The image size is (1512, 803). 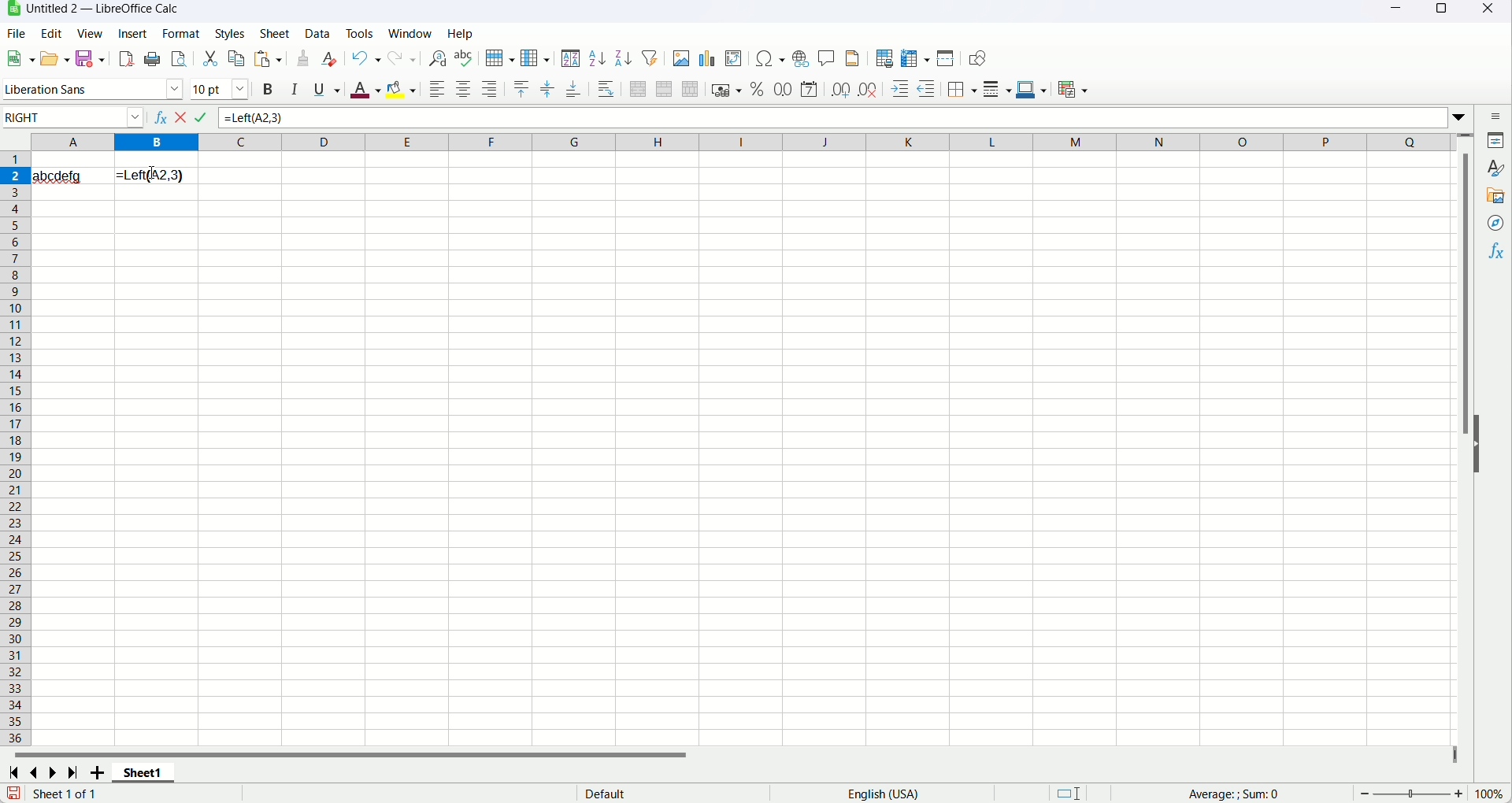 I want to click on edit, so click(x=53, y=33).